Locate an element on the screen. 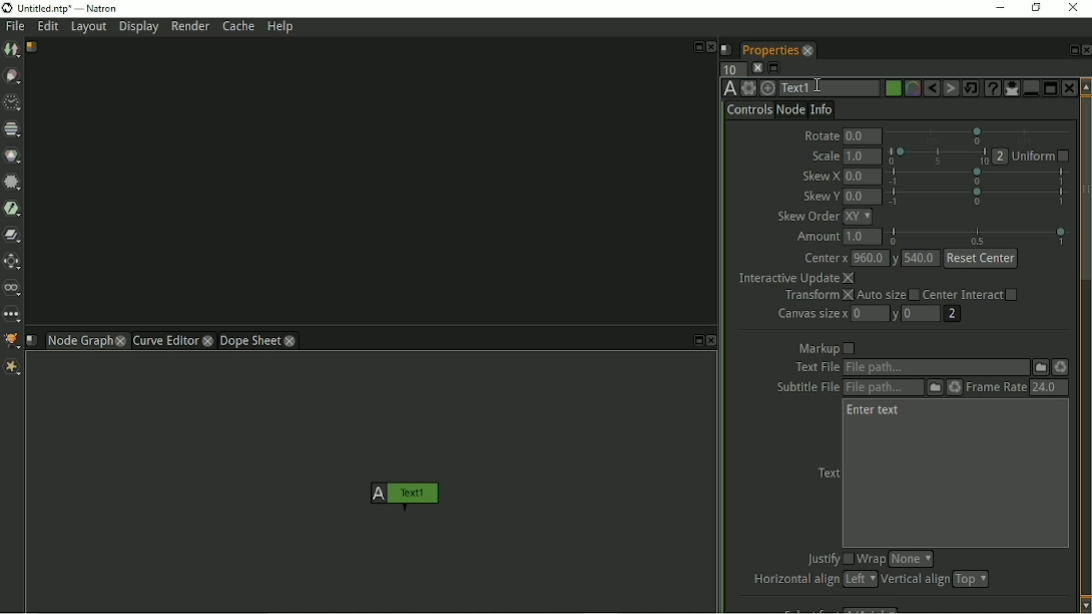  Subtitle file is located at coordinates (803, 388).